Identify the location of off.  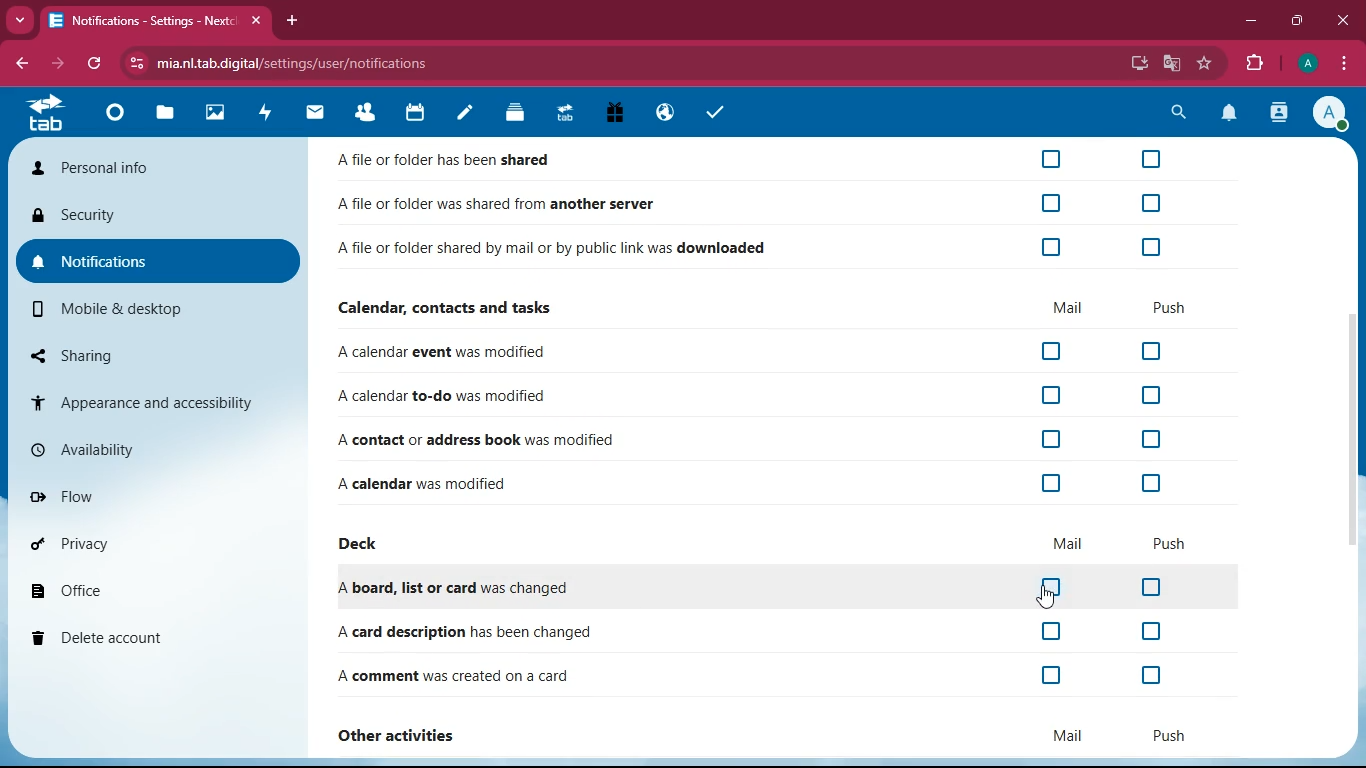
(1051, 246).